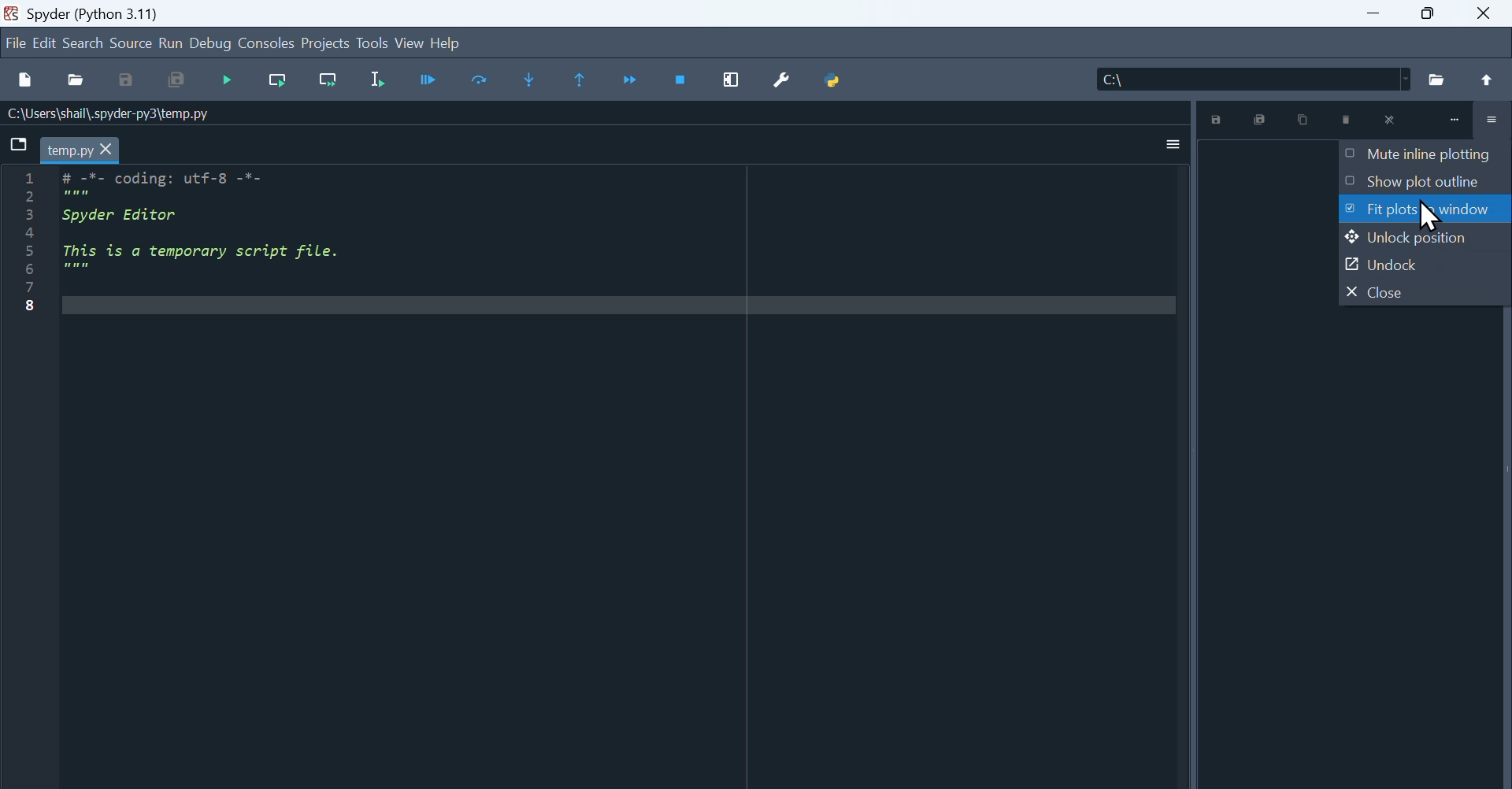 Image resolution: width=1512 pixels, height=789 pixels. Describe the element at coordinates (76, 80) in the screenshot. I see `Open` at that location.